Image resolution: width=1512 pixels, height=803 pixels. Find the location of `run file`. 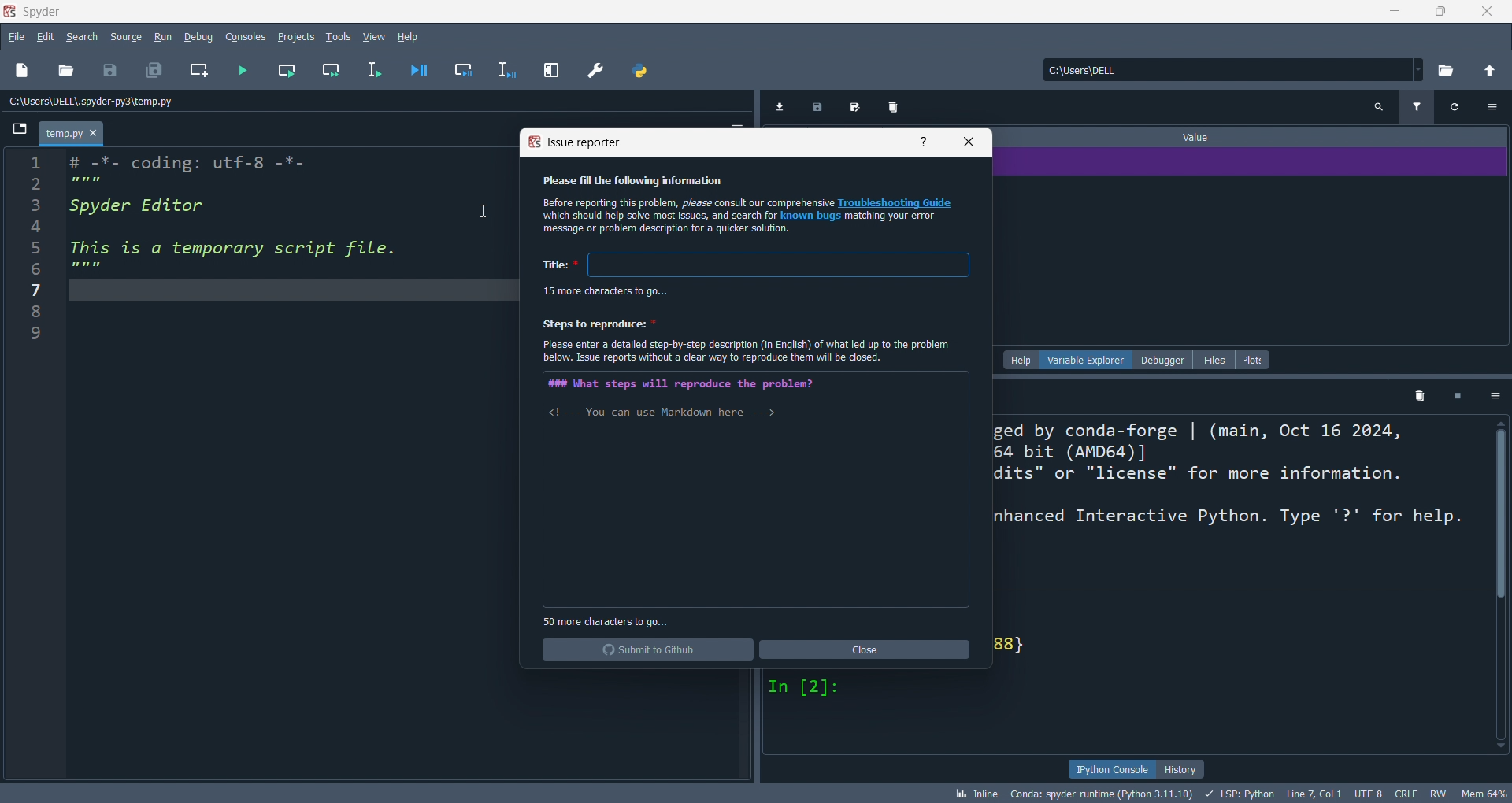

run file is located at coordinates (246, 73).